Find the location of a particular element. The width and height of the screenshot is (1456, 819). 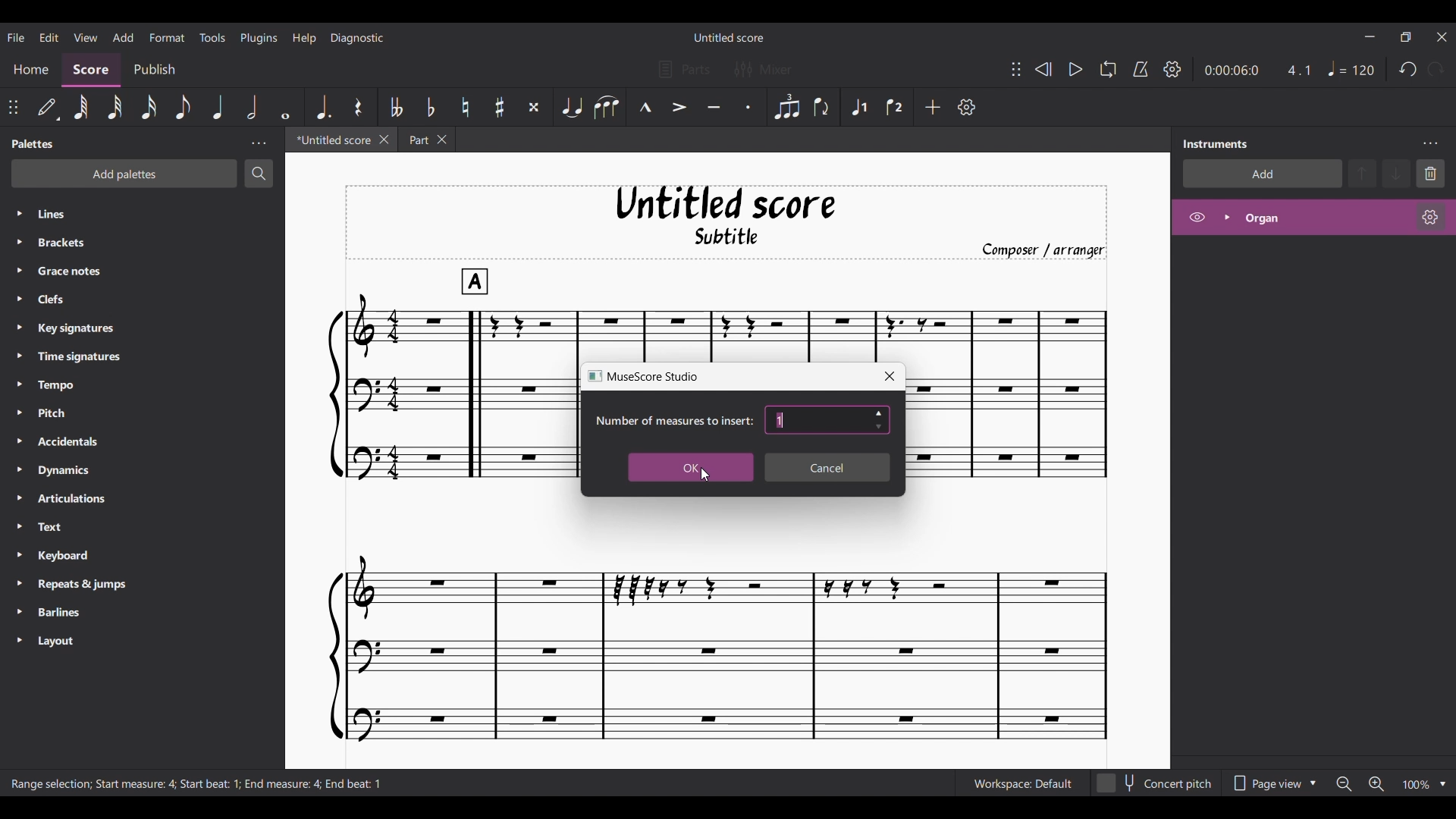

Zoom options is located at coordinates (1443, 784).